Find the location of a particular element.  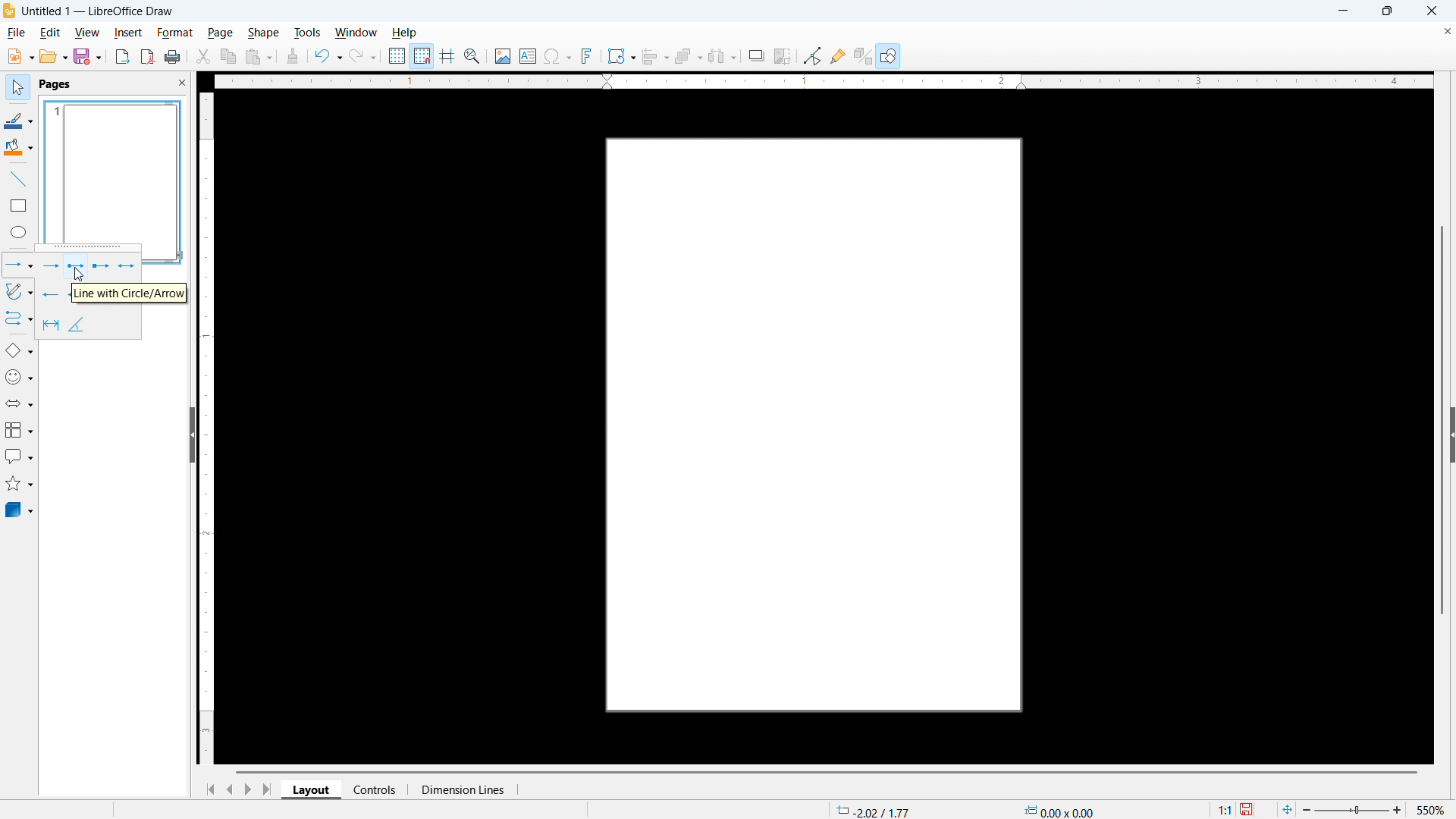

Line  is located at coordinates (19, 180).